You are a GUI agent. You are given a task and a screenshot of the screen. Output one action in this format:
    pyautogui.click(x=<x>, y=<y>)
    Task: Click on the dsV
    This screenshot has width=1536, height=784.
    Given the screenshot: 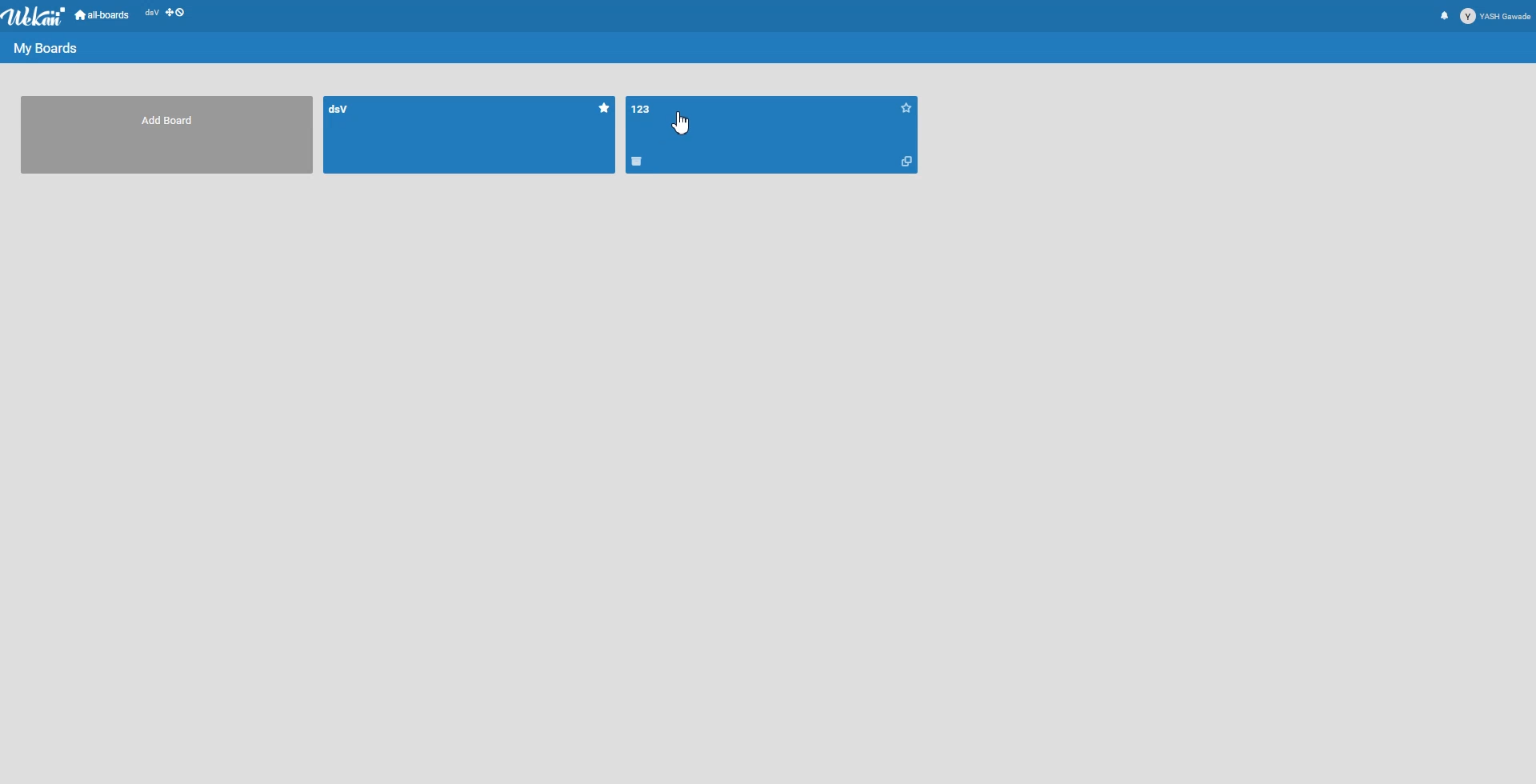 What is the action you would take?
    pyautogui.click(x=151, y=13)
    